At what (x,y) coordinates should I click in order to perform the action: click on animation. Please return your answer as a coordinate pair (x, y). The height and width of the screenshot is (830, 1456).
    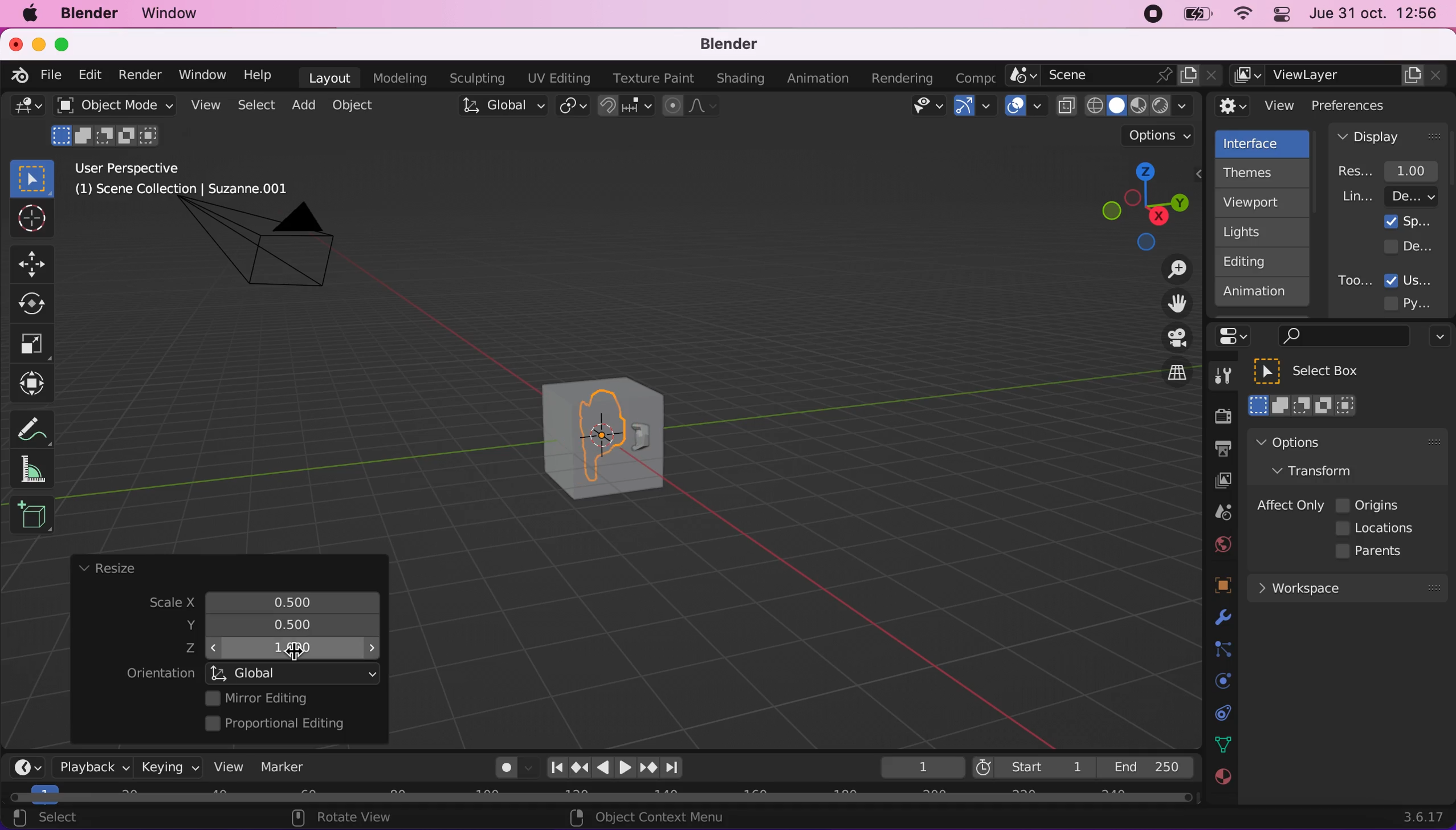
    Looking at the image, I should click on (1263, 295).